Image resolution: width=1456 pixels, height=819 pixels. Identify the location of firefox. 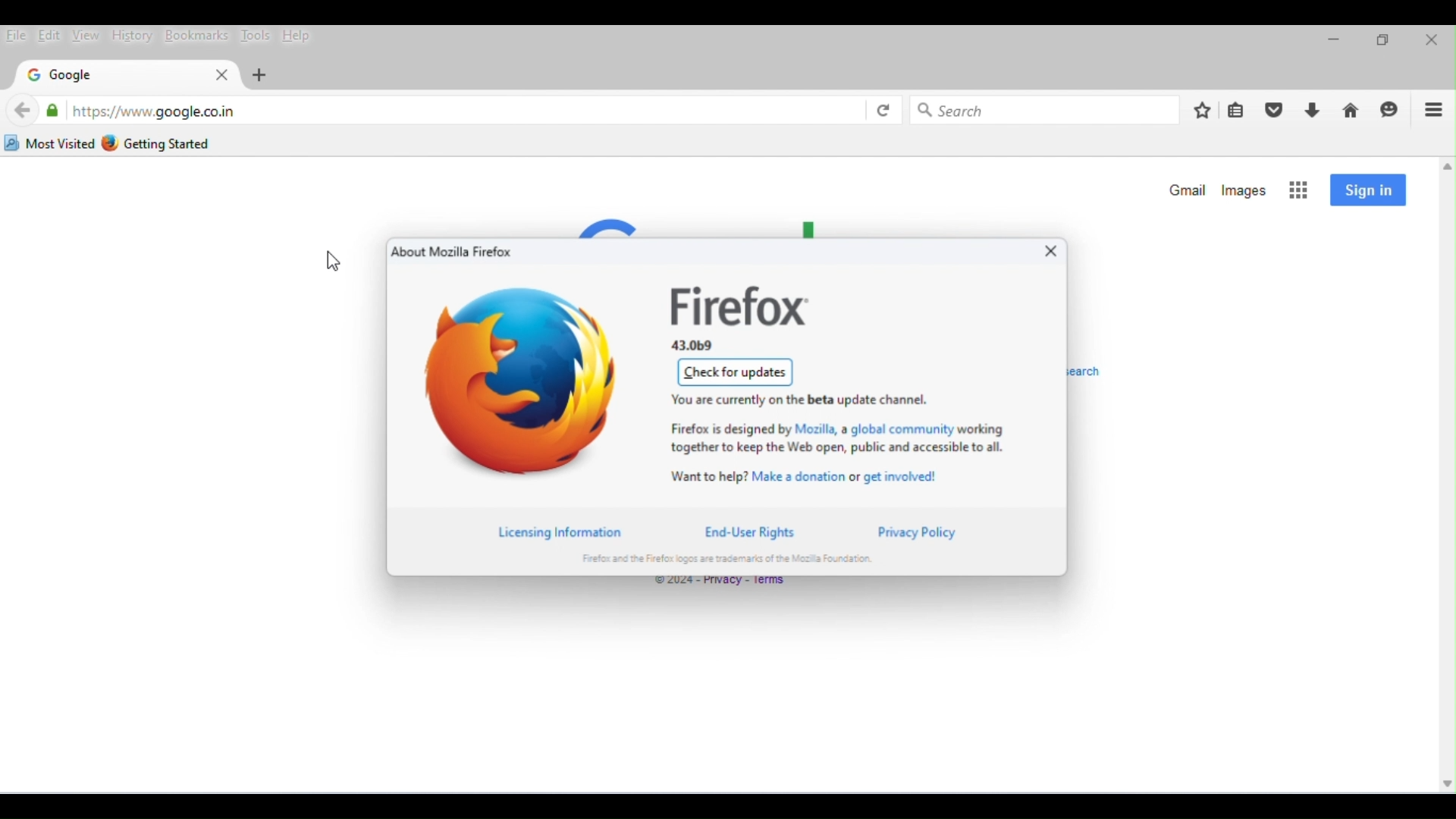
(741, 306).